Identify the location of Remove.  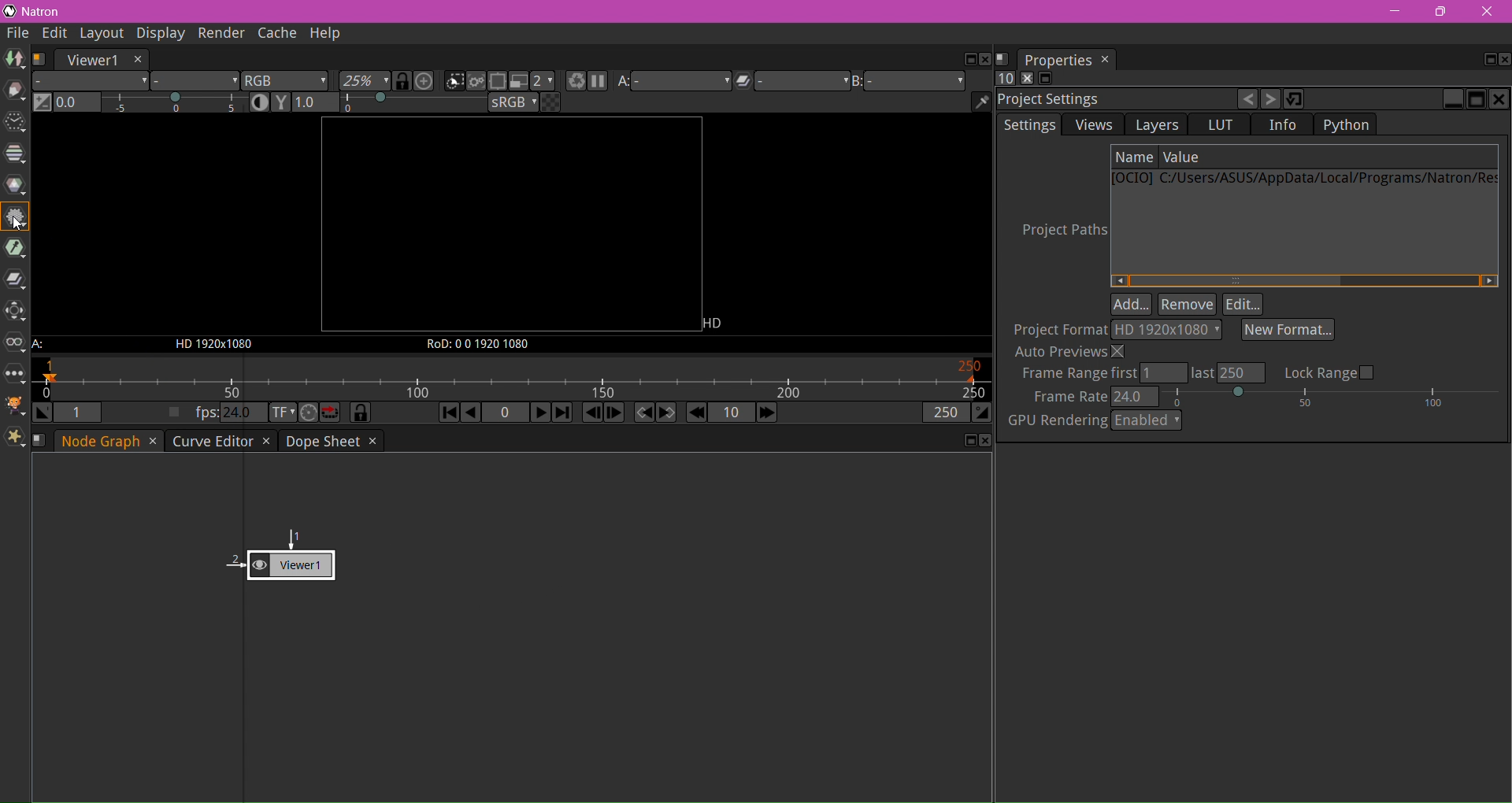
(1188, 305).